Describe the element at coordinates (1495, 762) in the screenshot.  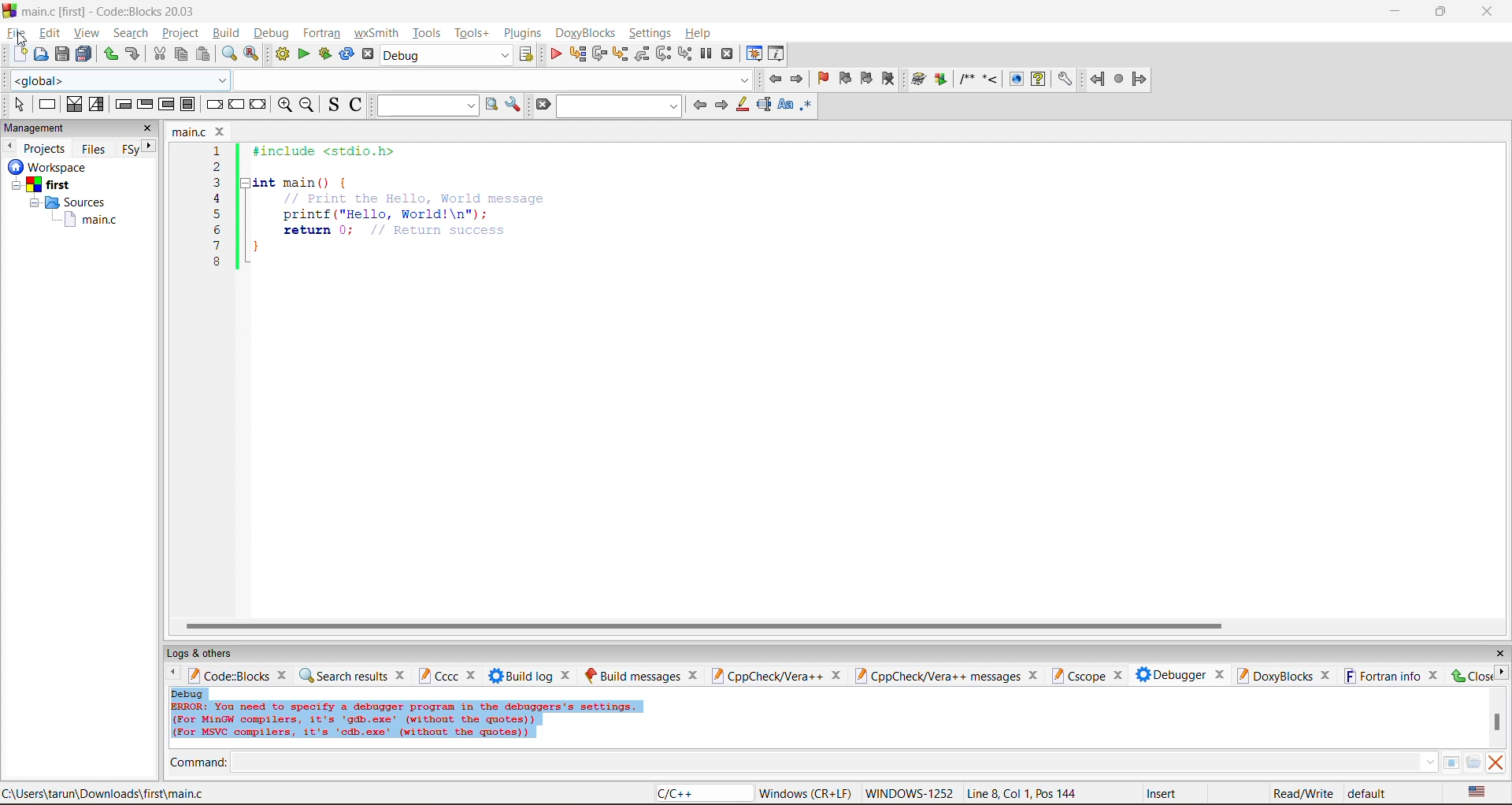
I see `clear output window` at that location.